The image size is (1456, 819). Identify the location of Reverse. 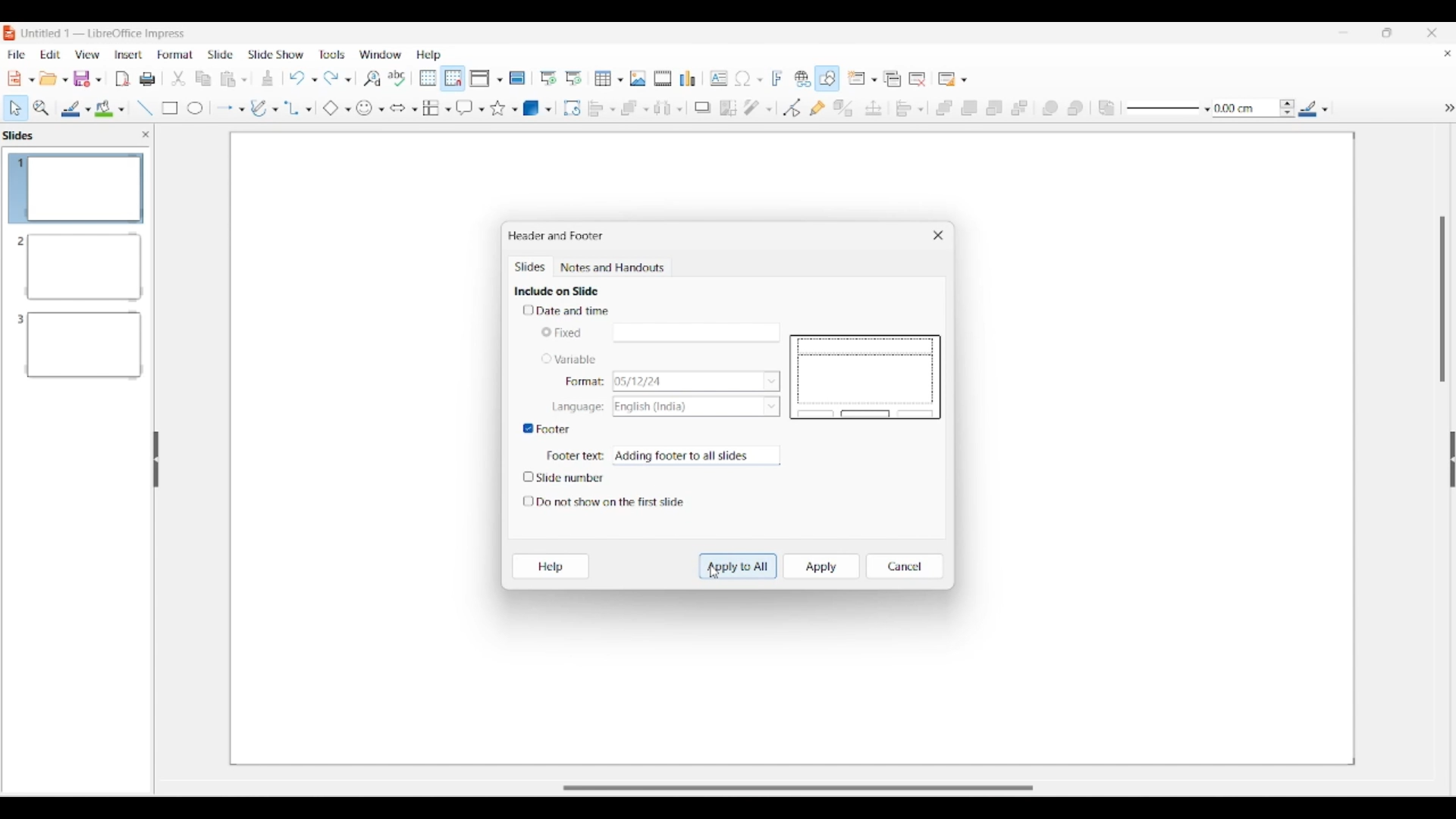
(1107, 108).